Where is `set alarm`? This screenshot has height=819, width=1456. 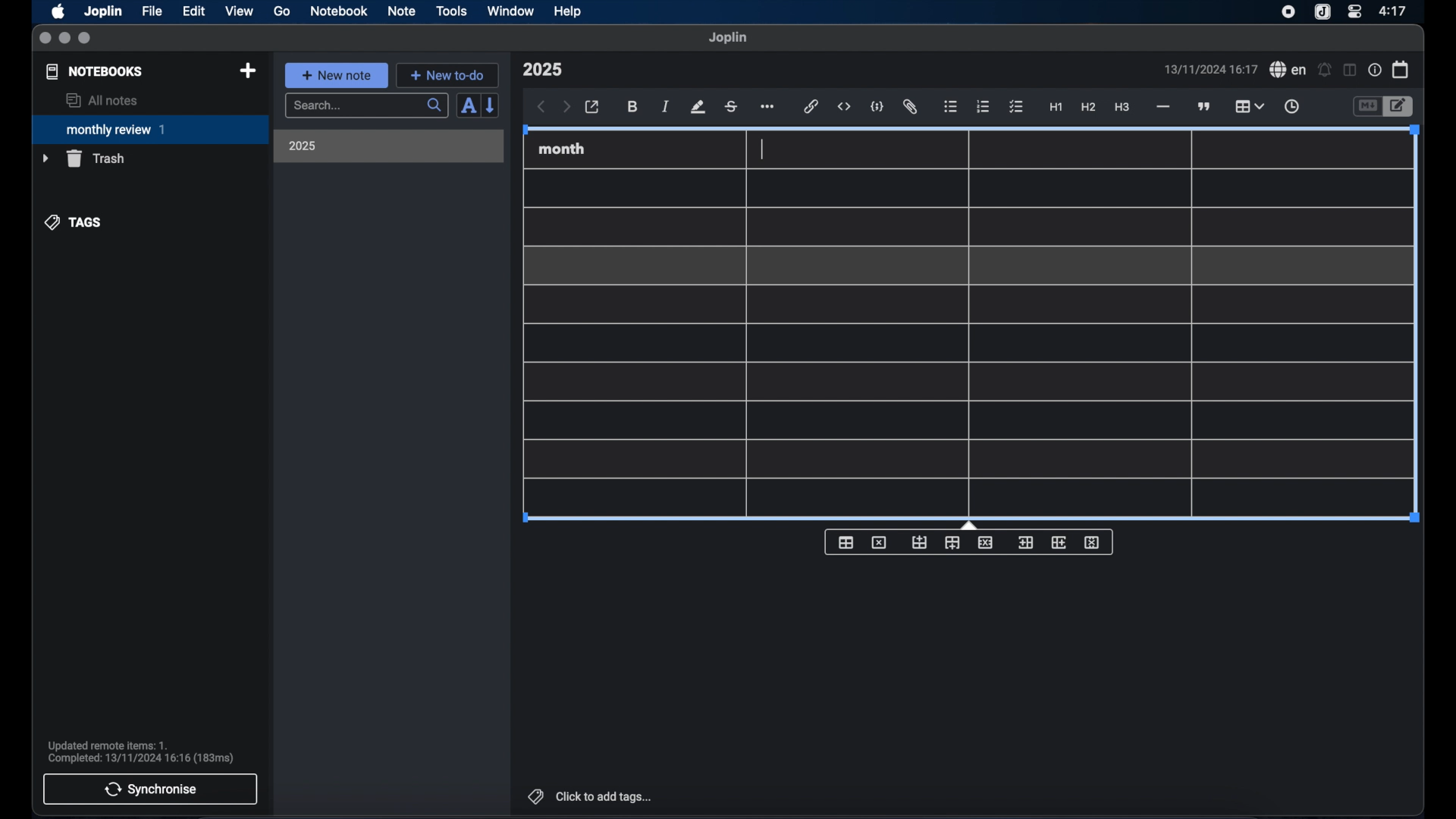 set alarm is located at coordinates (1325, 71).